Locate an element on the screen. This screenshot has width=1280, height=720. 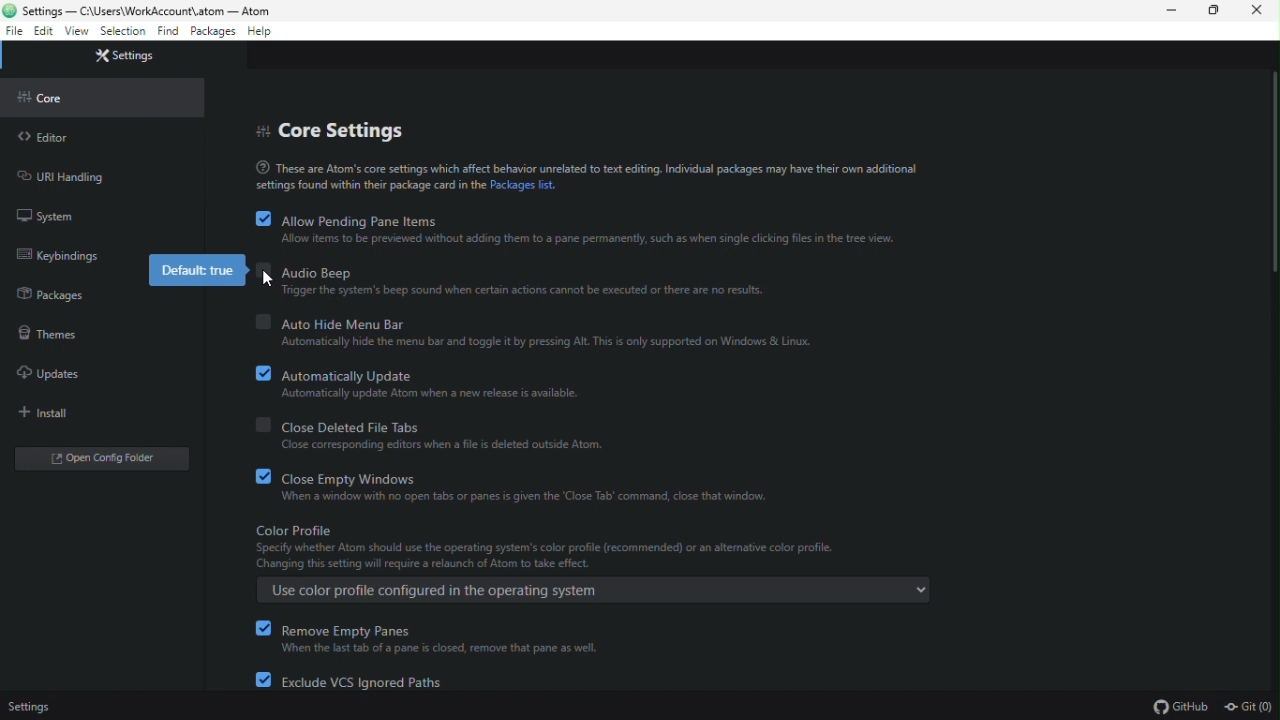
find is located at coordinates (166, 31).